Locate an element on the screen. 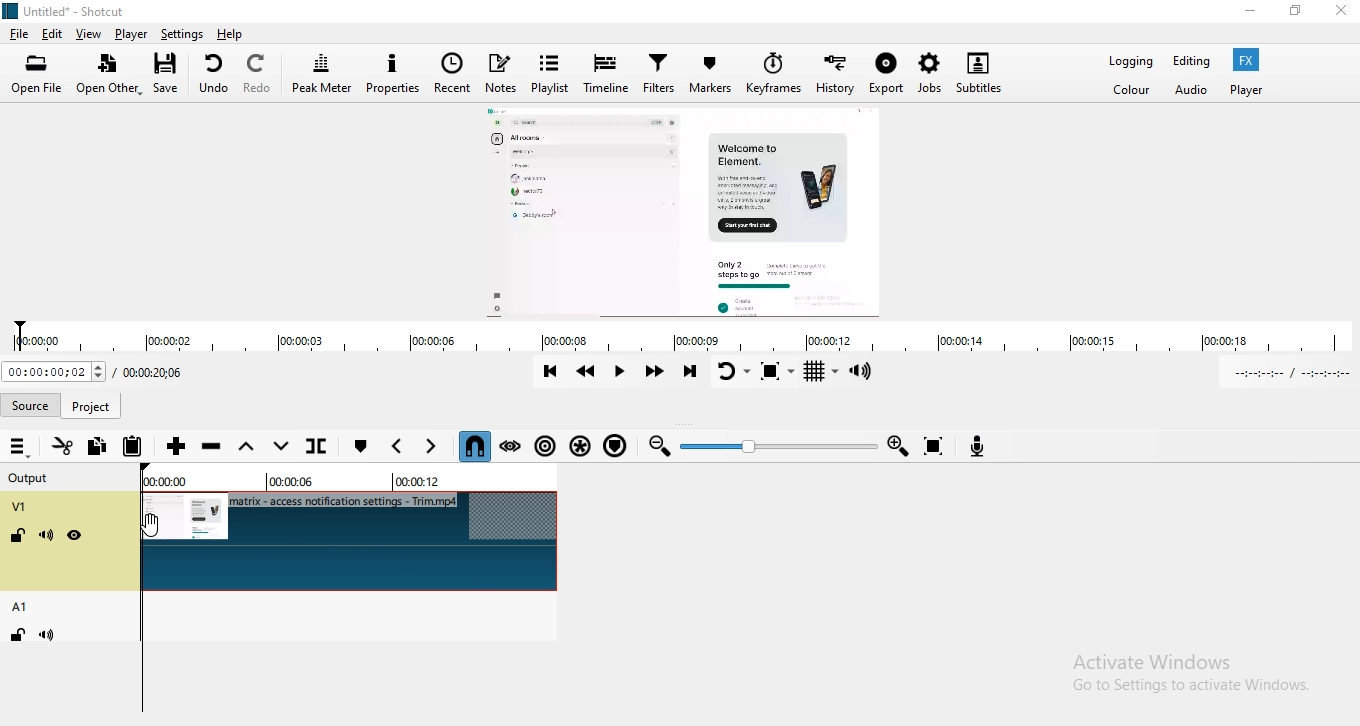 This screenshot has height=726, width=1360. Toggle grid display  is located at coordinates (822, 371).